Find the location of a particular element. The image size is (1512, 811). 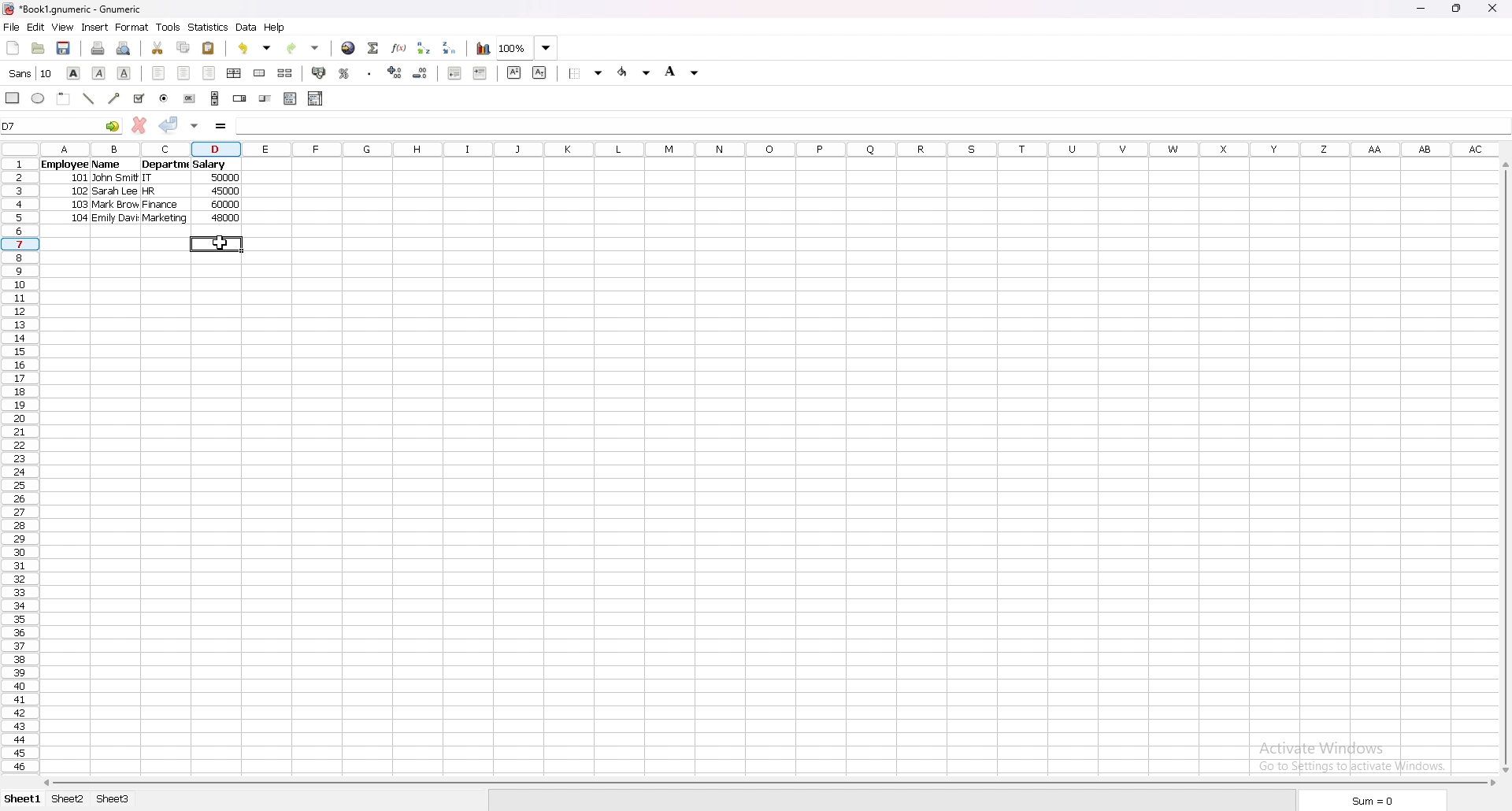

line is located at coordinates (89, 98).